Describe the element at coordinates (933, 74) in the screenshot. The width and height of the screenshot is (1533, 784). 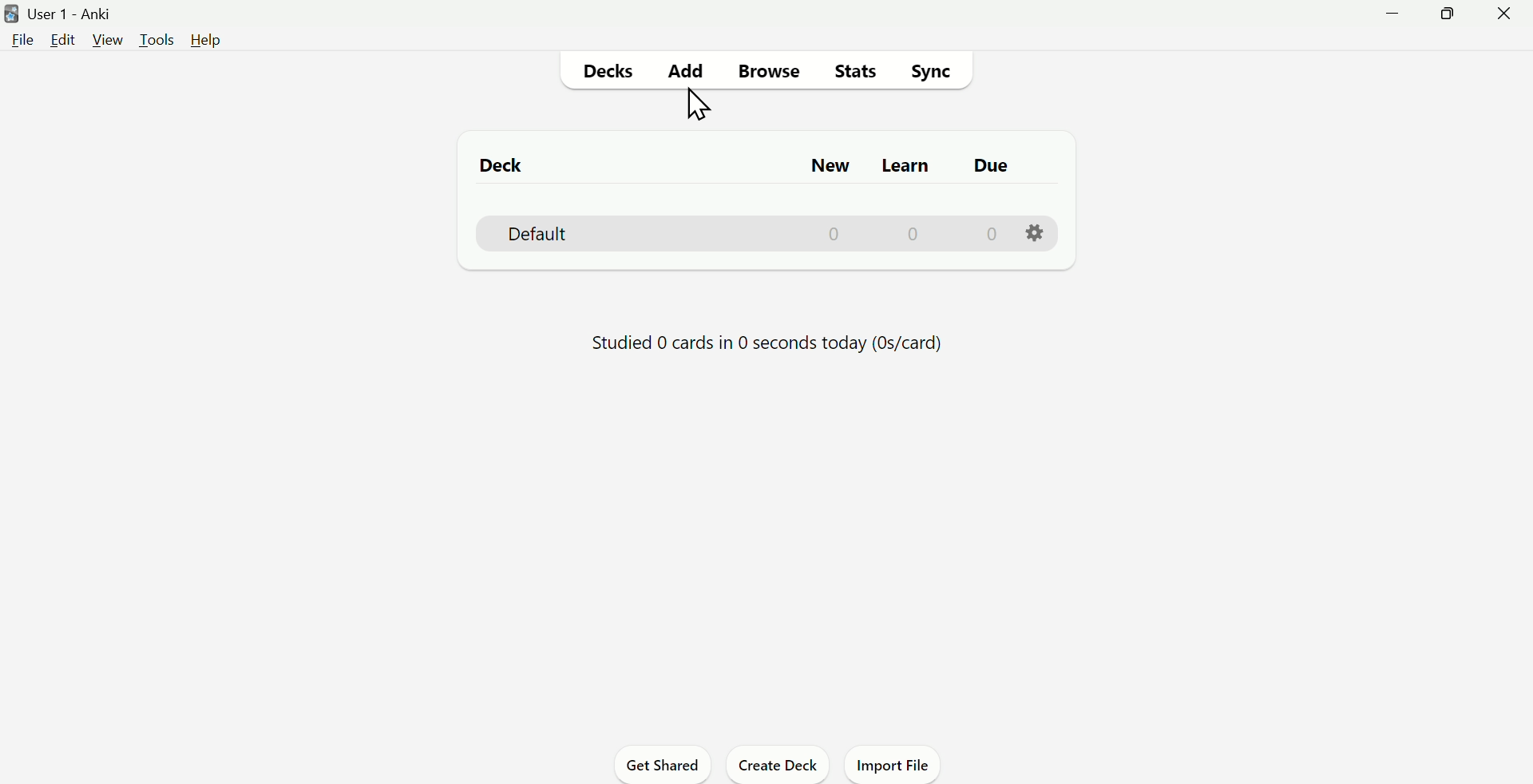
I see `Sync` at that location.